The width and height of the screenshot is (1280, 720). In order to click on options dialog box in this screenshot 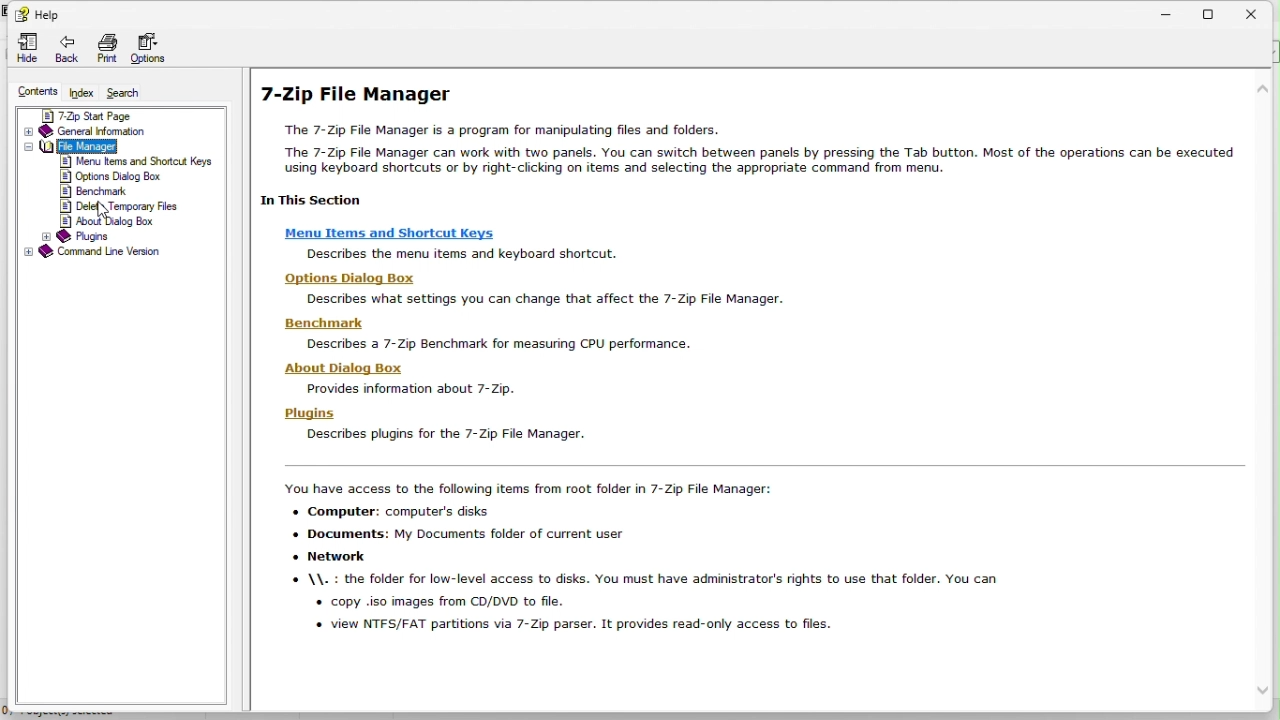, I will do `click(111, 176)`.